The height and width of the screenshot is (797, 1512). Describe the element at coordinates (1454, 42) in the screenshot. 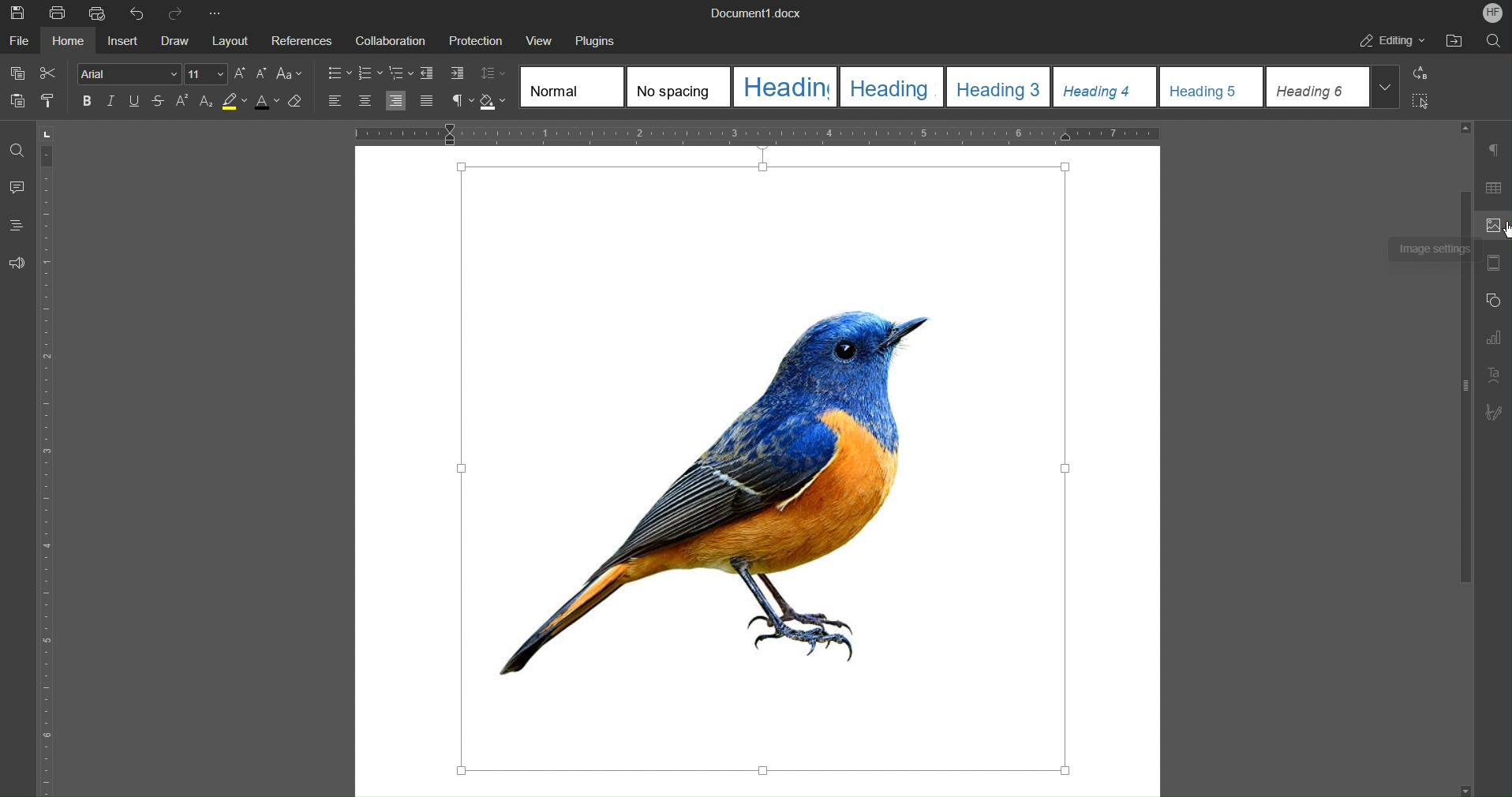

I see `Open File Location` at that location.